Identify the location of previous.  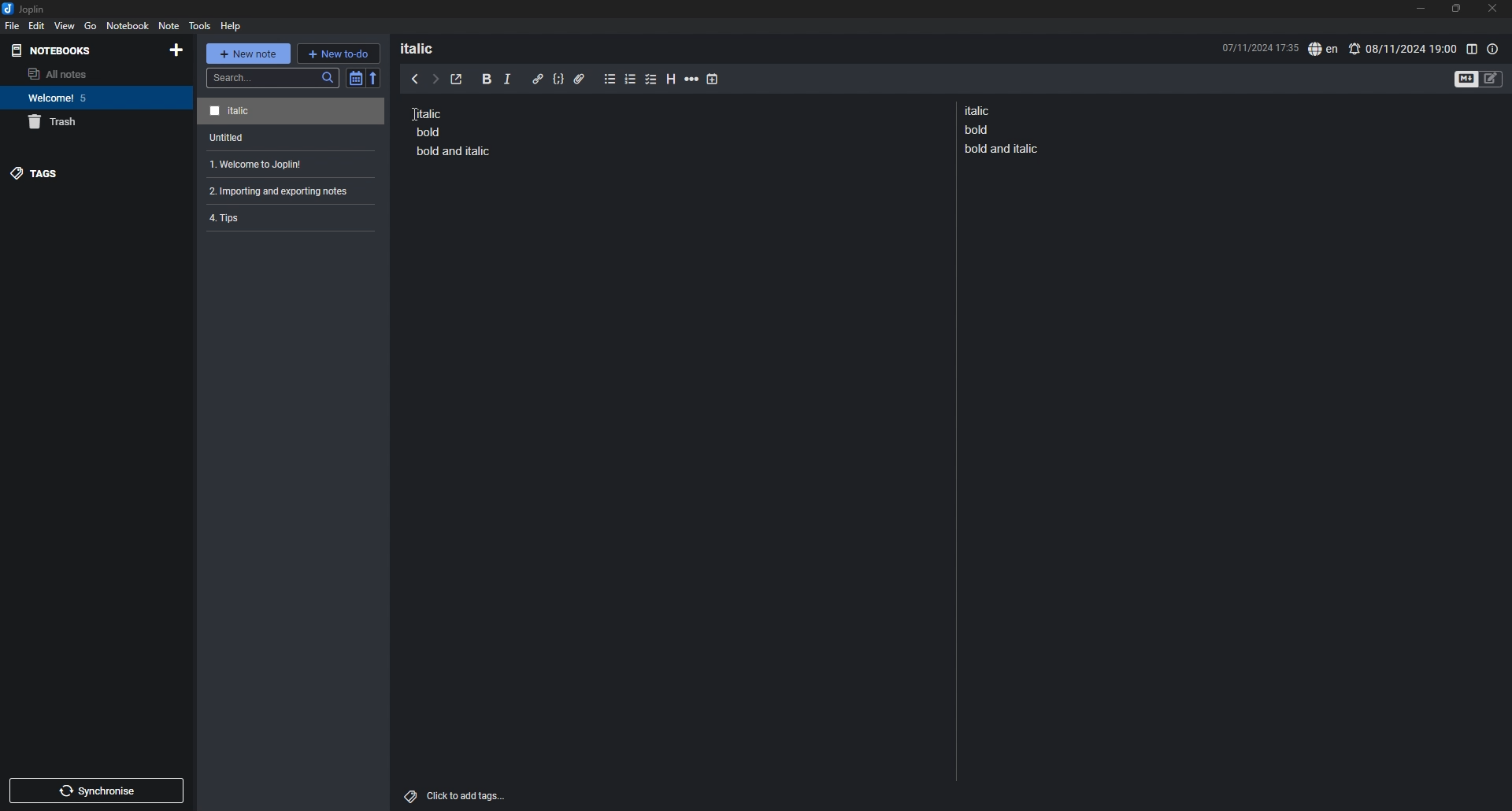
(415, 78).